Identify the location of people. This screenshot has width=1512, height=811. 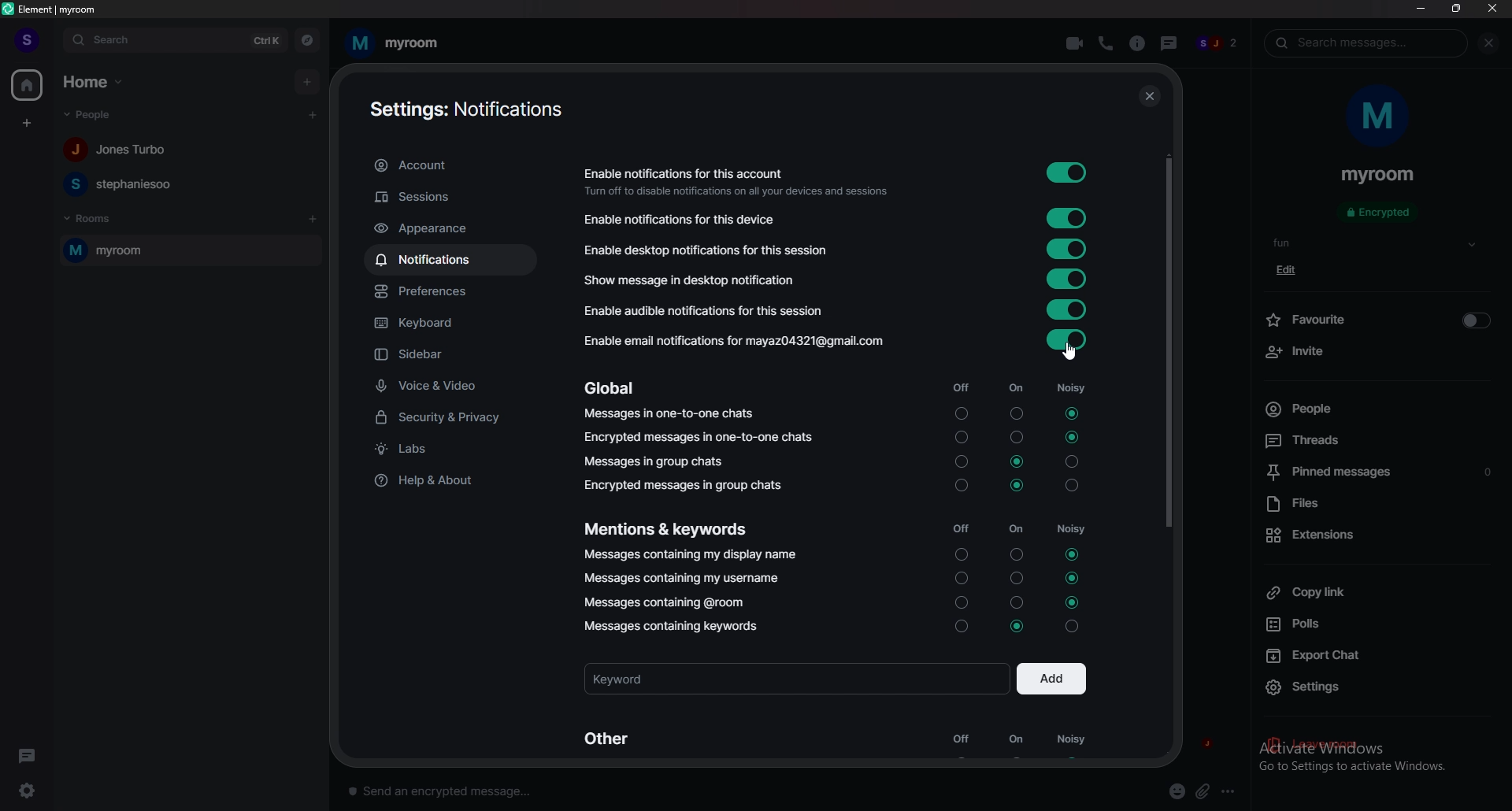
(95, 115).